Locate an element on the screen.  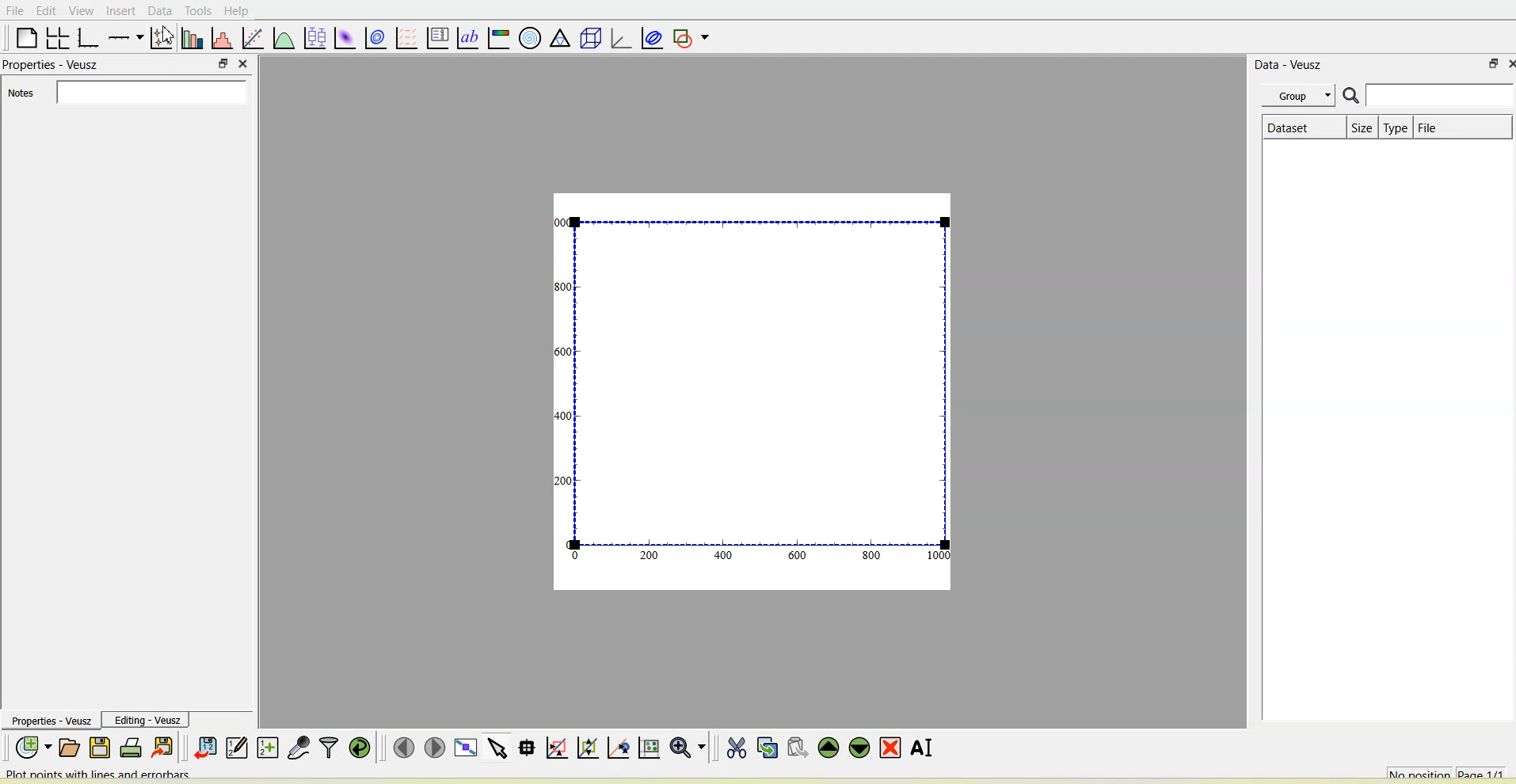
Move to the next page is located at coordinates (435, 747).